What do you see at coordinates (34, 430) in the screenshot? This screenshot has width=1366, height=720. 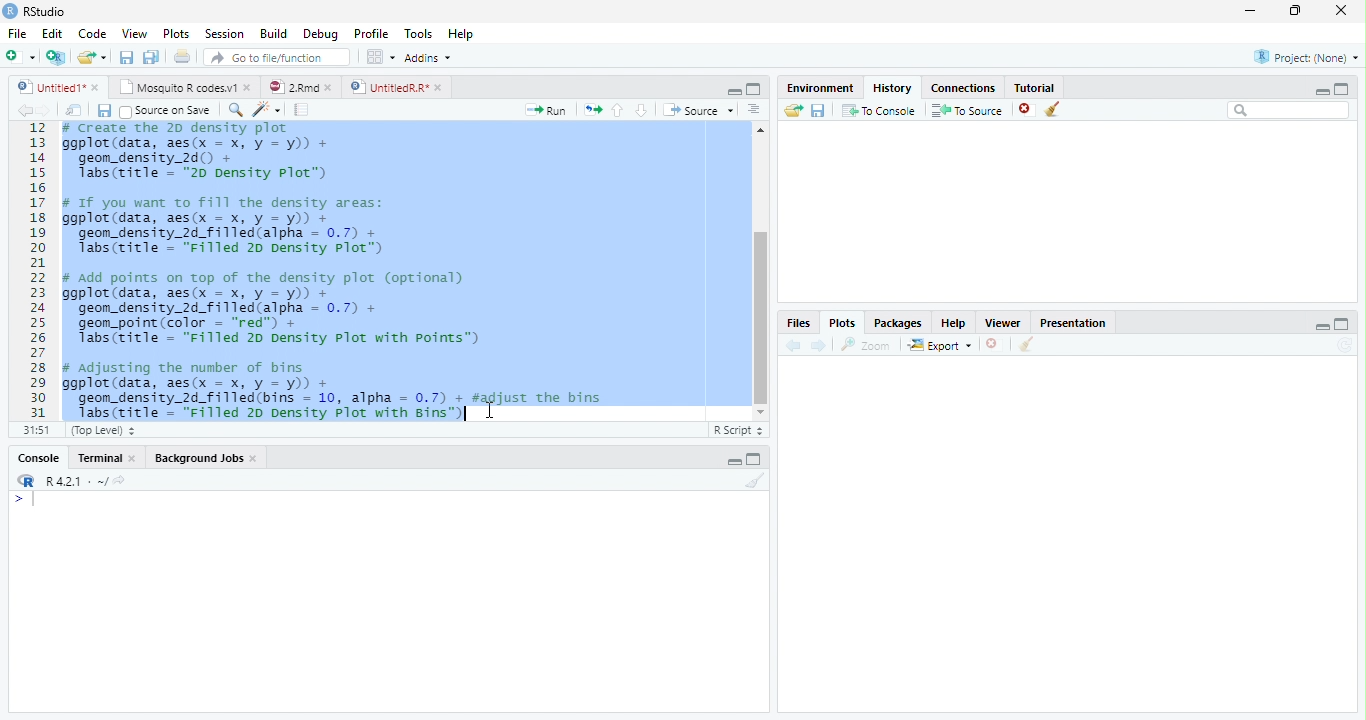 I see `31:51` at bounding box center [34, 430].